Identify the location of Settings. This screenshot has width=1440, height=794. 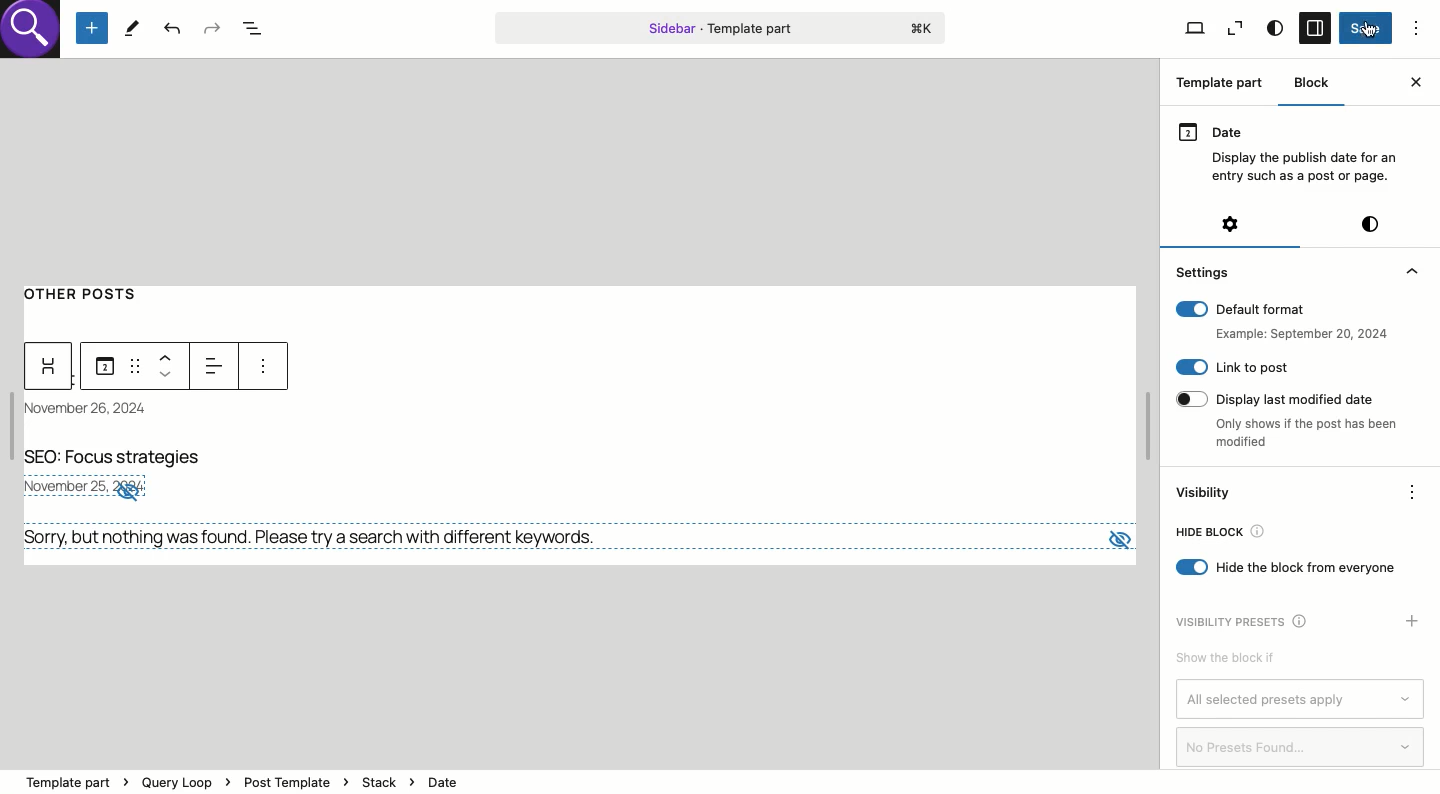
(1205, 271).